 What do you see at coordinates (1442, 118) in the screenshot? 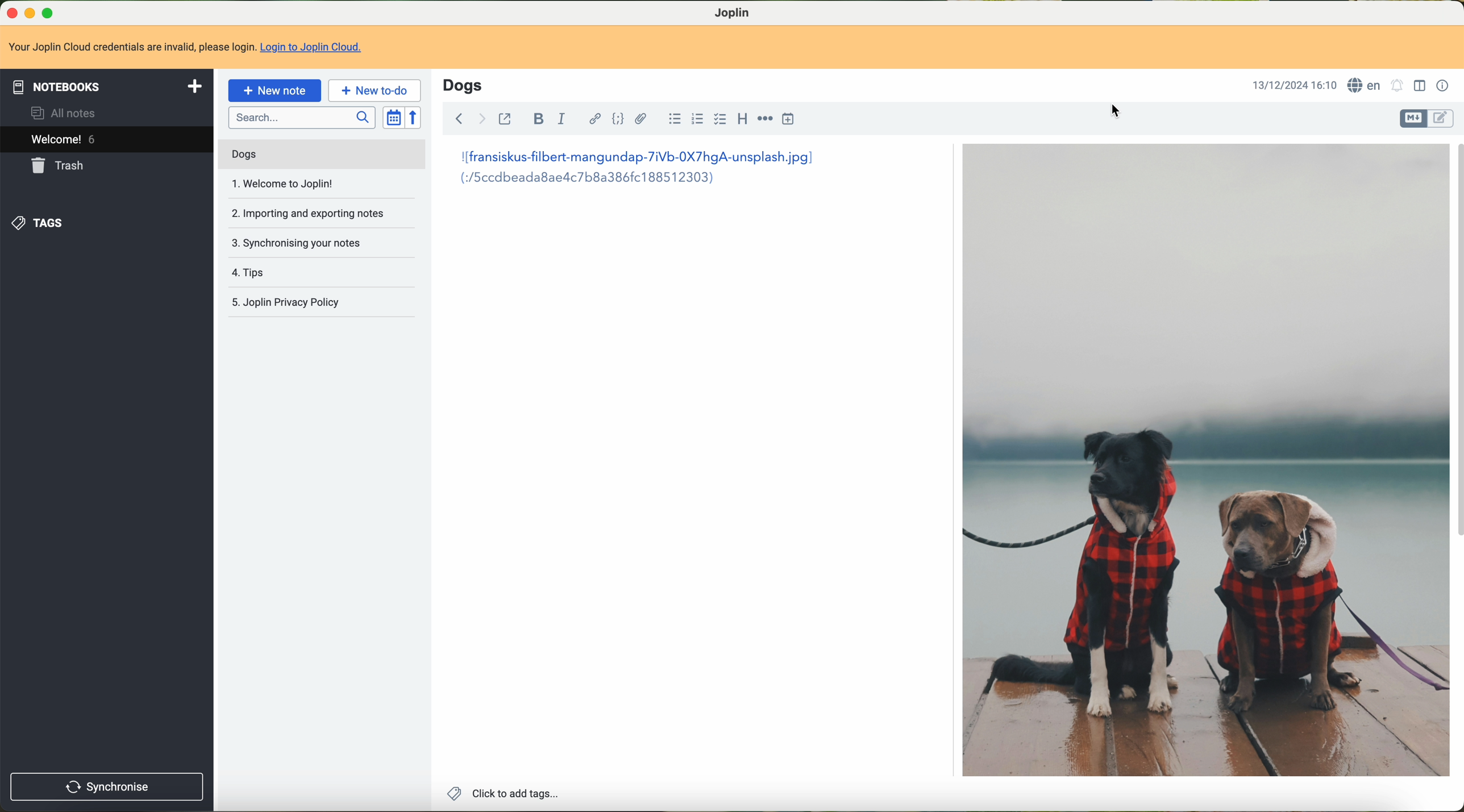
I see `toggle editors` at bounding box center [1442, 118].